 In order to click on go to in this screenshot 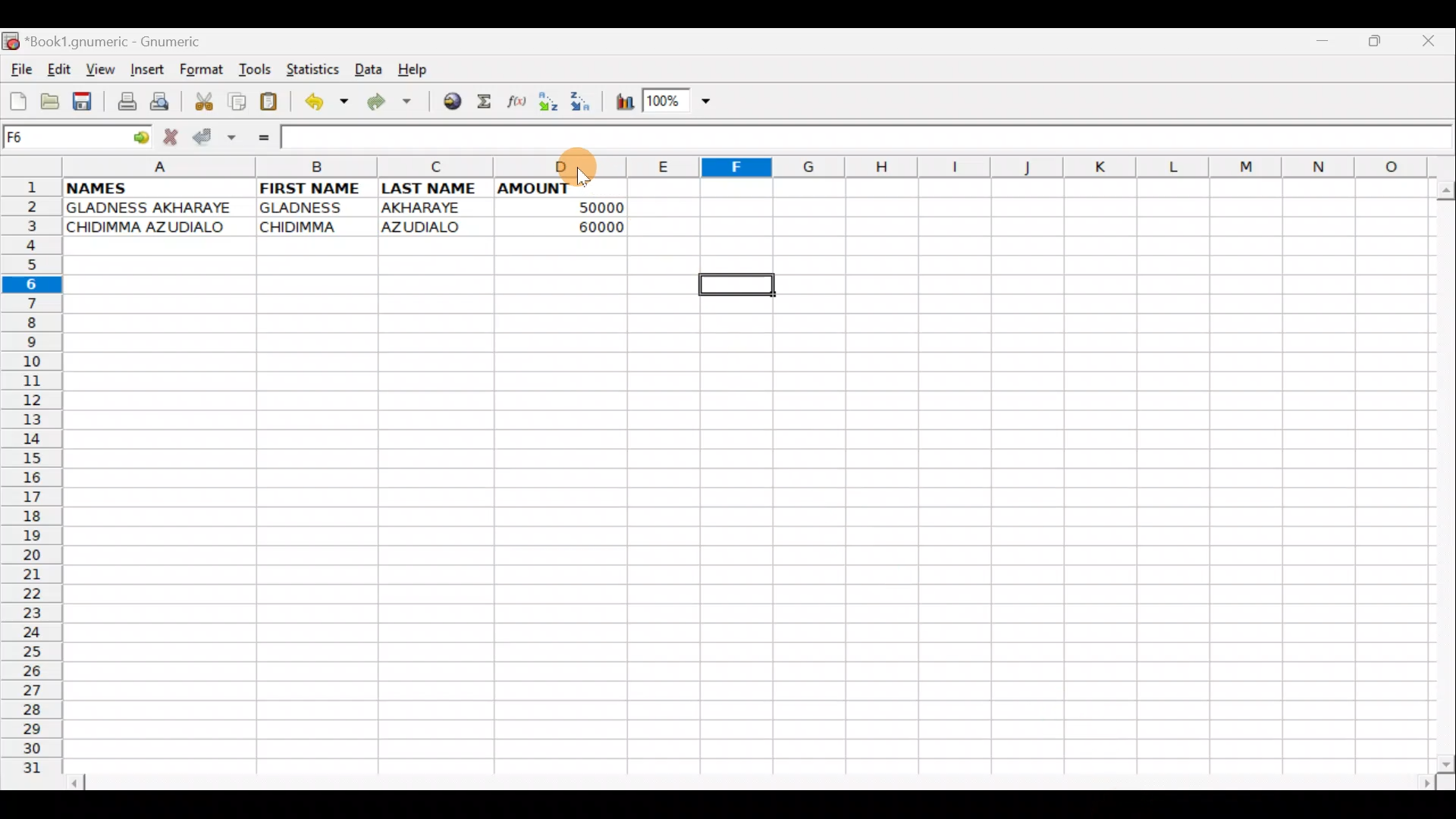, I will do `click(144, 138)`.